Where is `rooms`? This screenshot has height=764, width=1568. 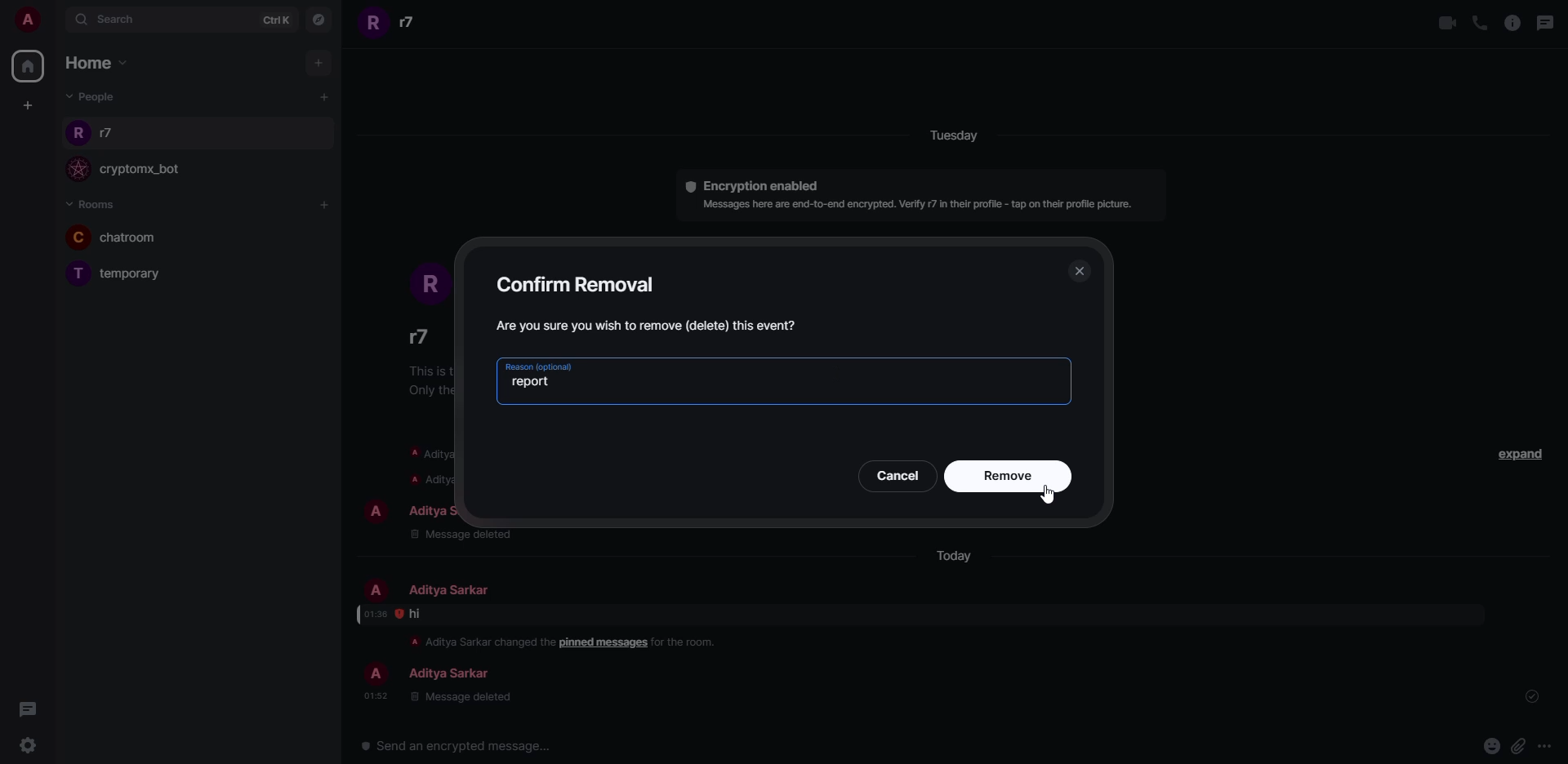
rooms is located at coordinates (90, 205).